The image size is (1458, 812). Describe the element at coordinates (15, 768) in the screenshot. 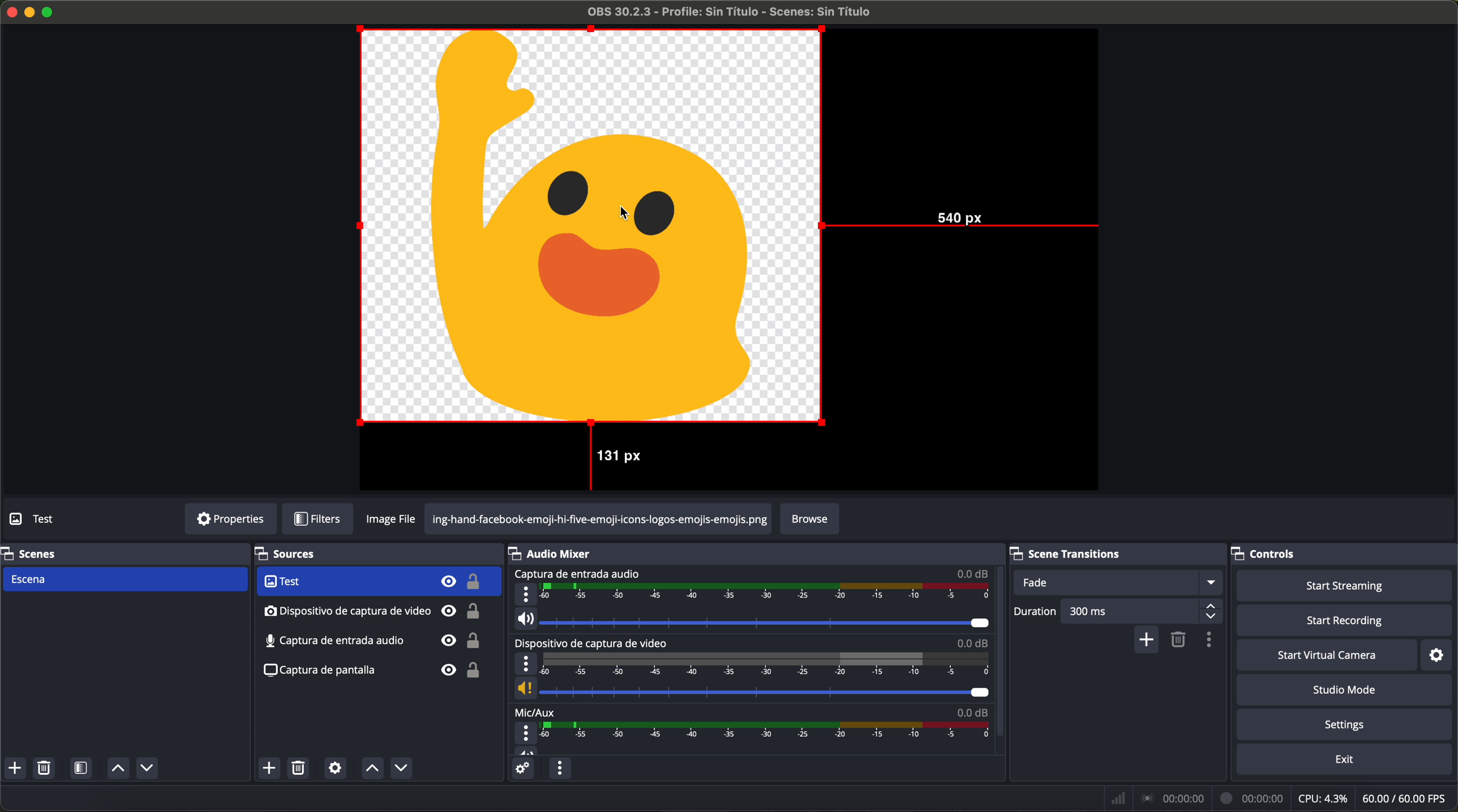

I see `add scene` at that location.